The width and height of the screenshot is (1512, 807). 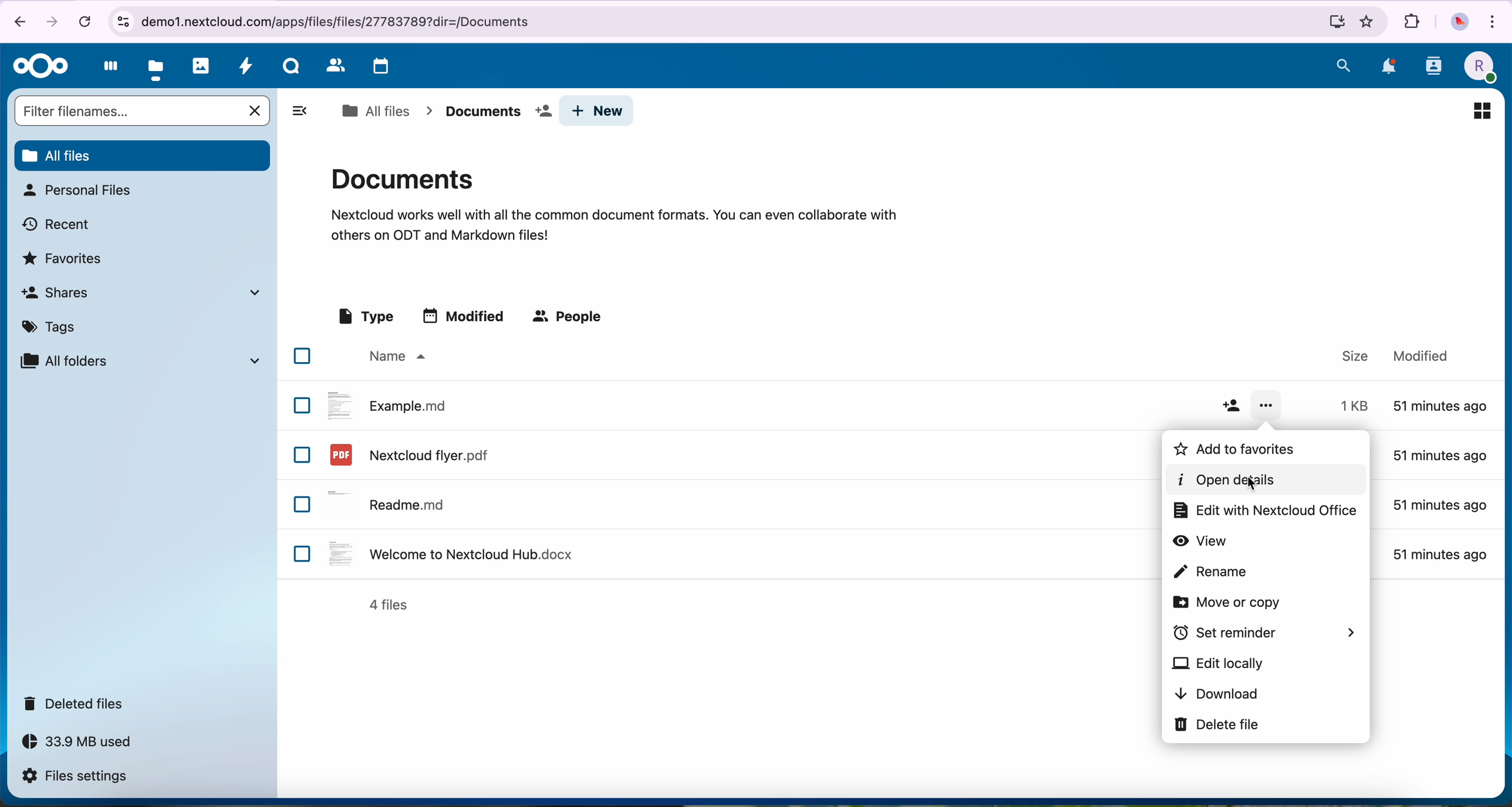 I want to click on modified, so click(x=1440, y=404).